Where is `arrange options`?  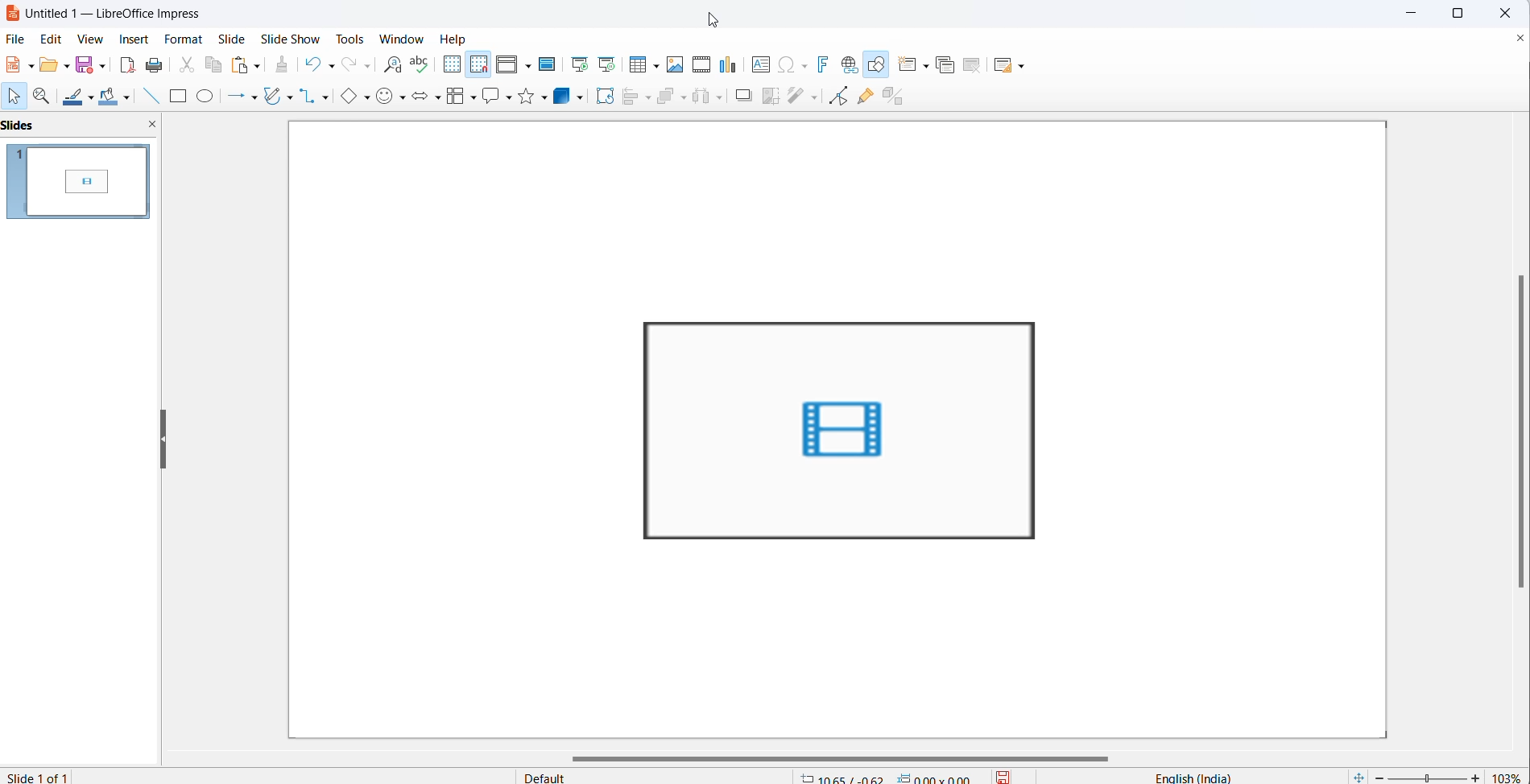
arrange options is located at coordinates (684, 104).